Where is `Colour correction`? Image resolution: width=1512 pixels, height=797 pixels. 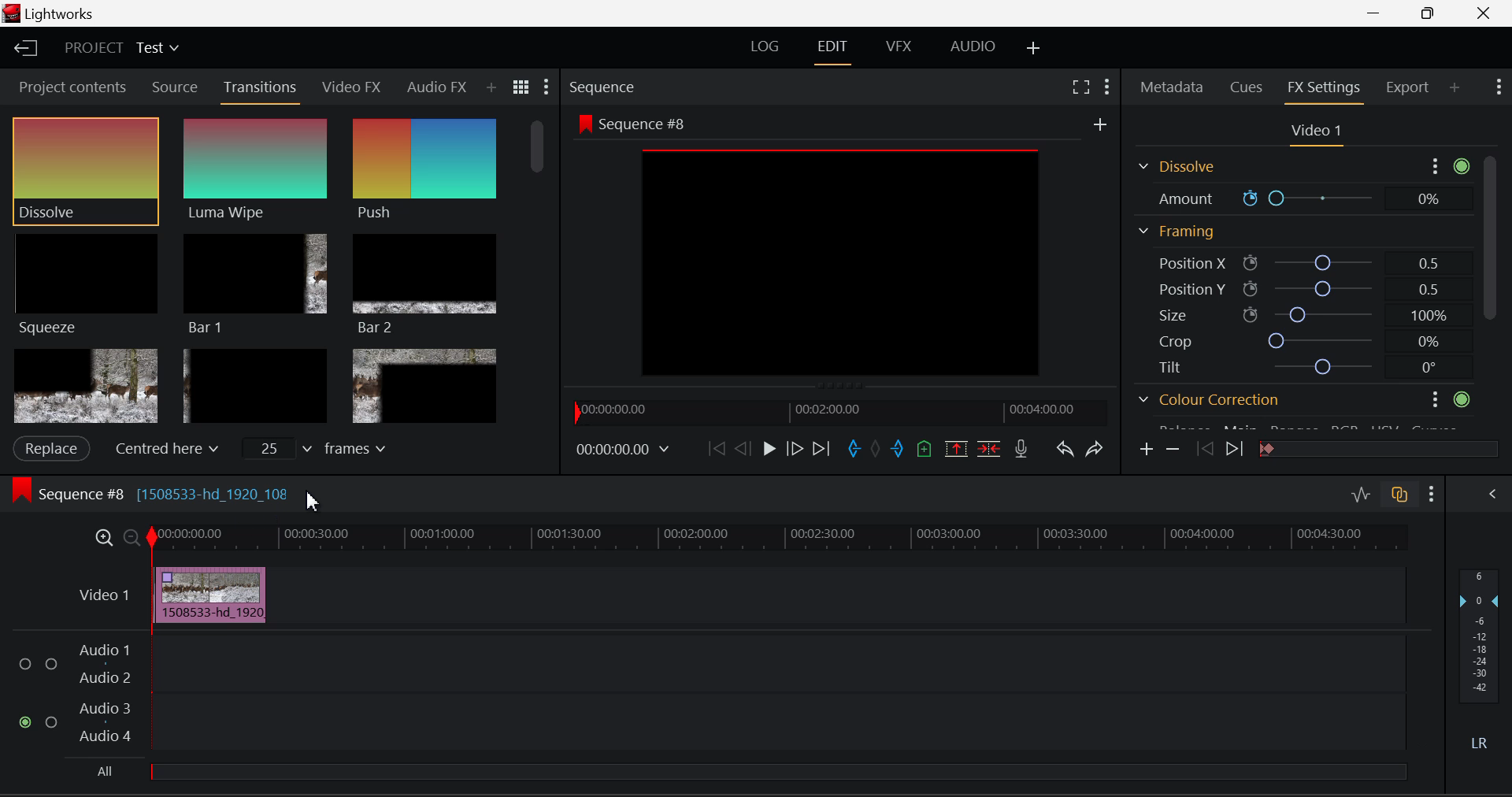 Colour correction is located at coordinates (1303, 398).